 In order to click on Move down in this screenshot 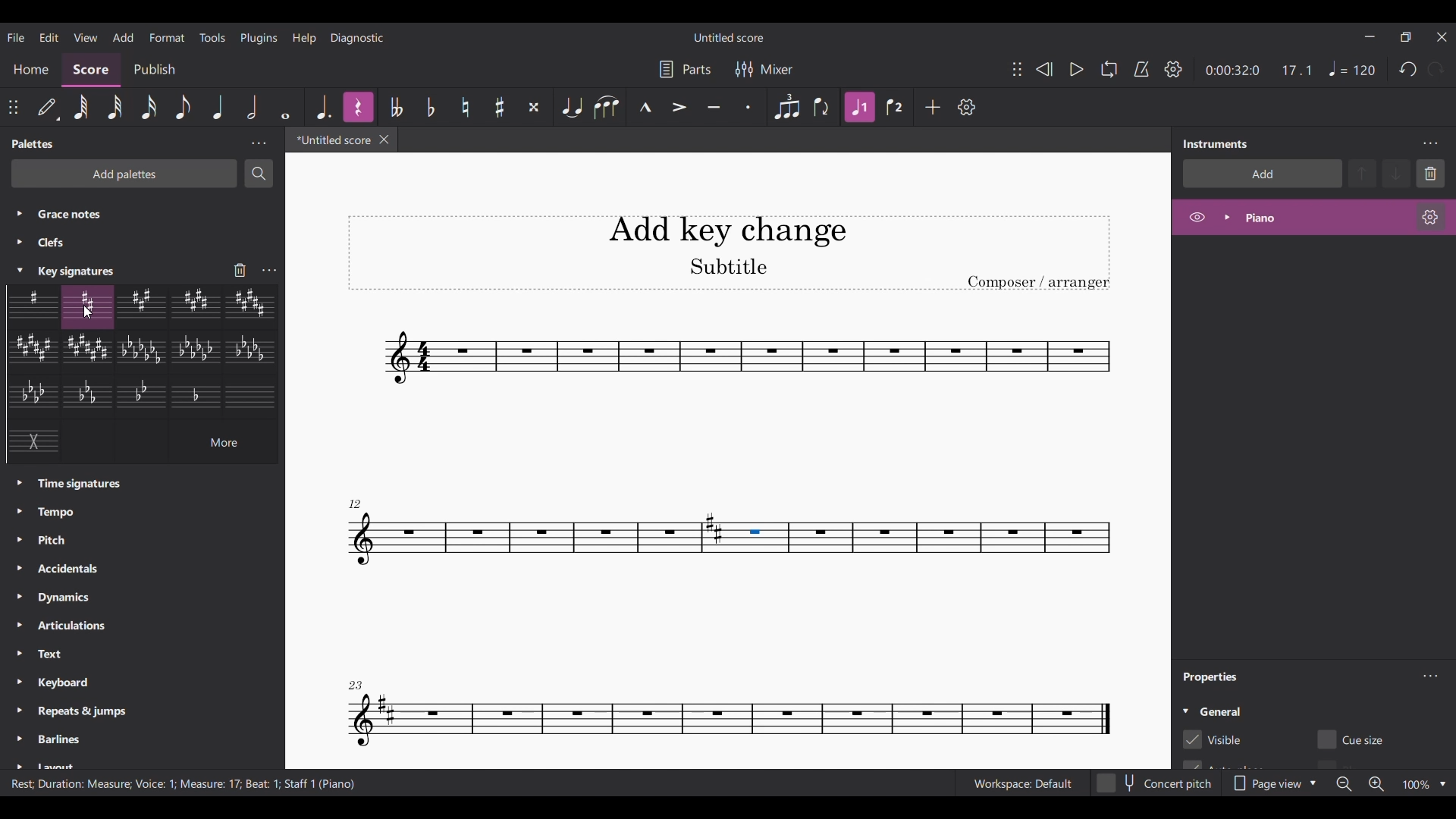, I will do `click(1398, 174)`.